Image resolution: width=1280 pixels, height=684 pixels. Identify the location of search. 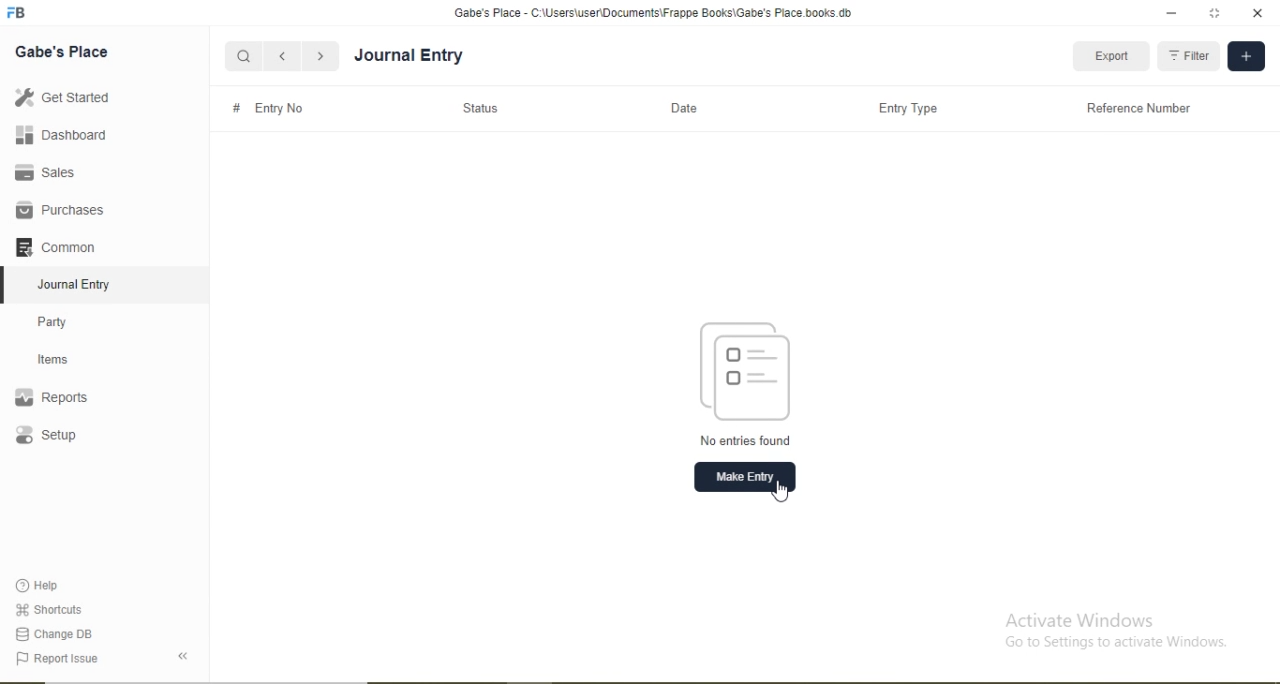
(244, 56).